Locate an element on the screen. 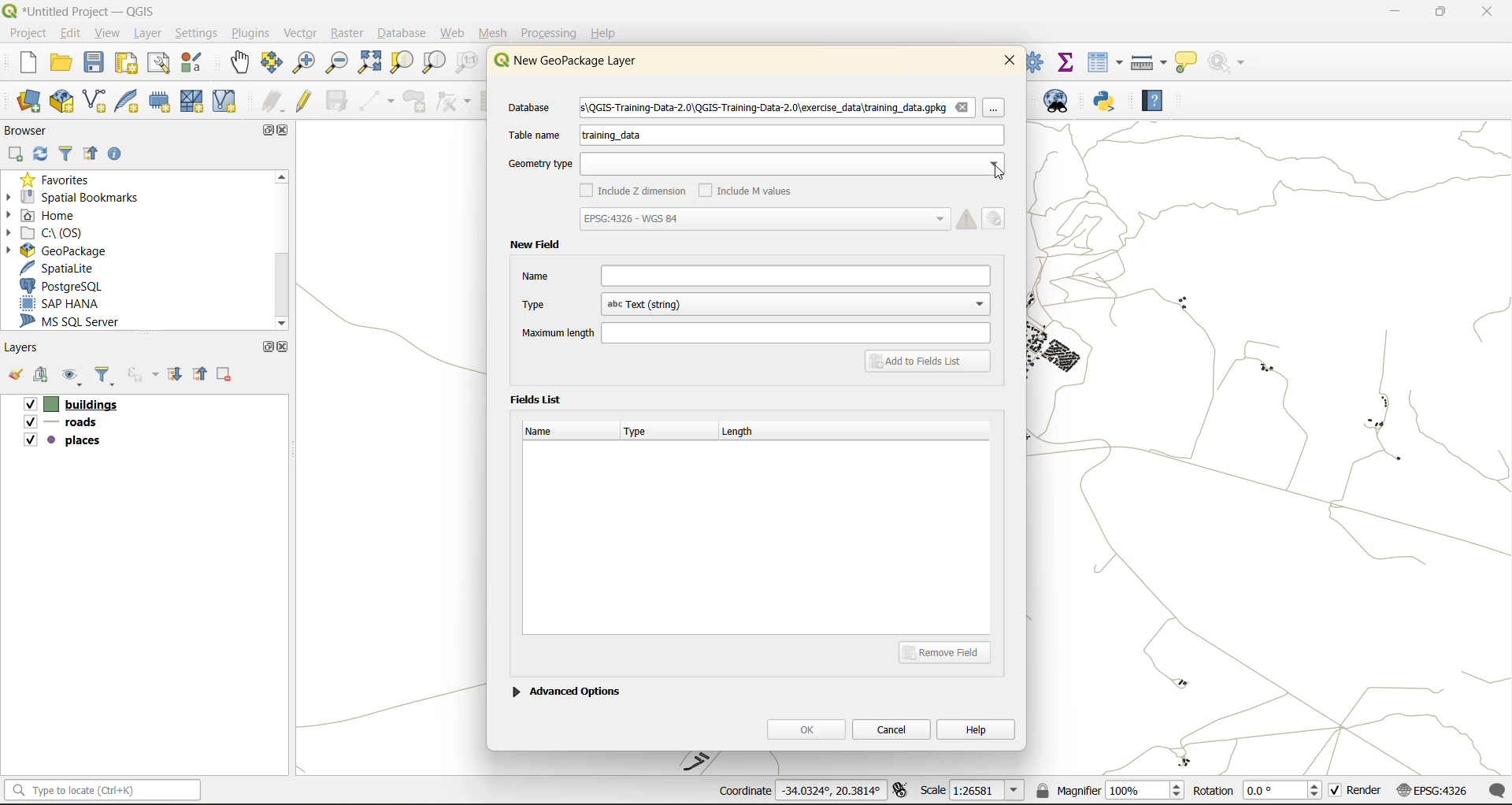  magnifier(100%) is located at coordinates (1106, 790).